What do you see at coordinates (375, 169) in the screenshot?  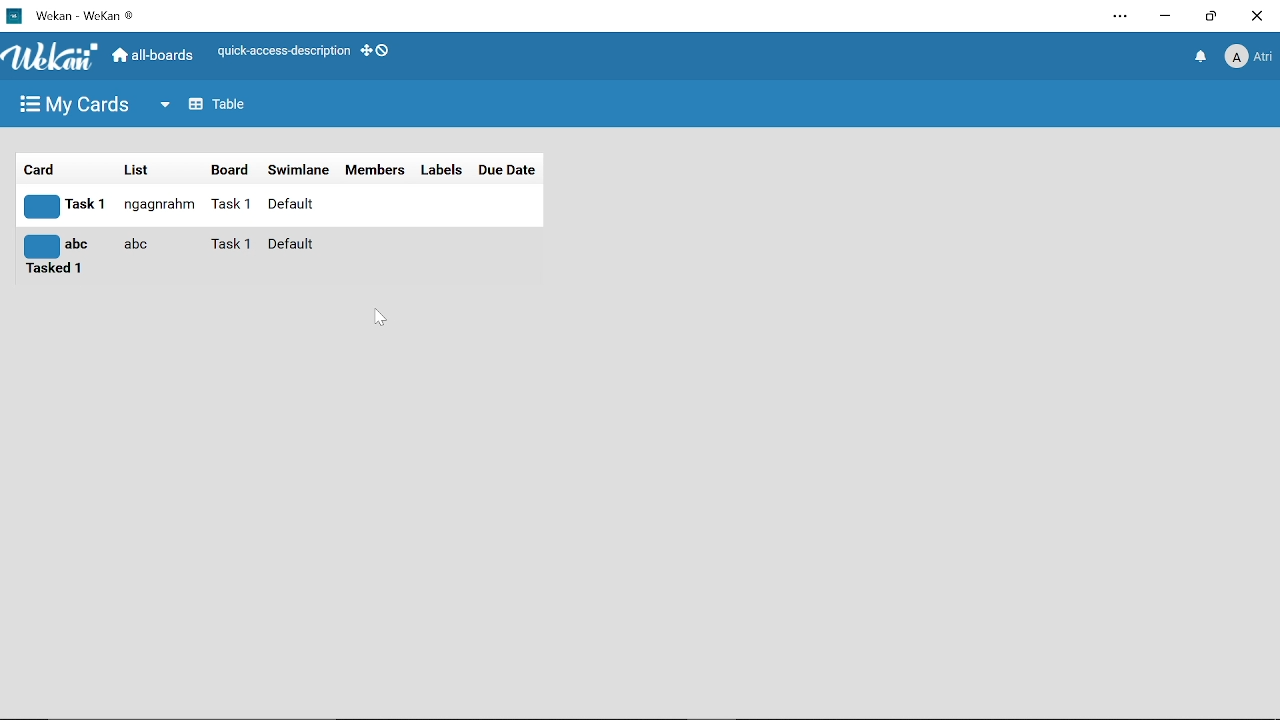 I see `Members` at bounding box center [375, 169].